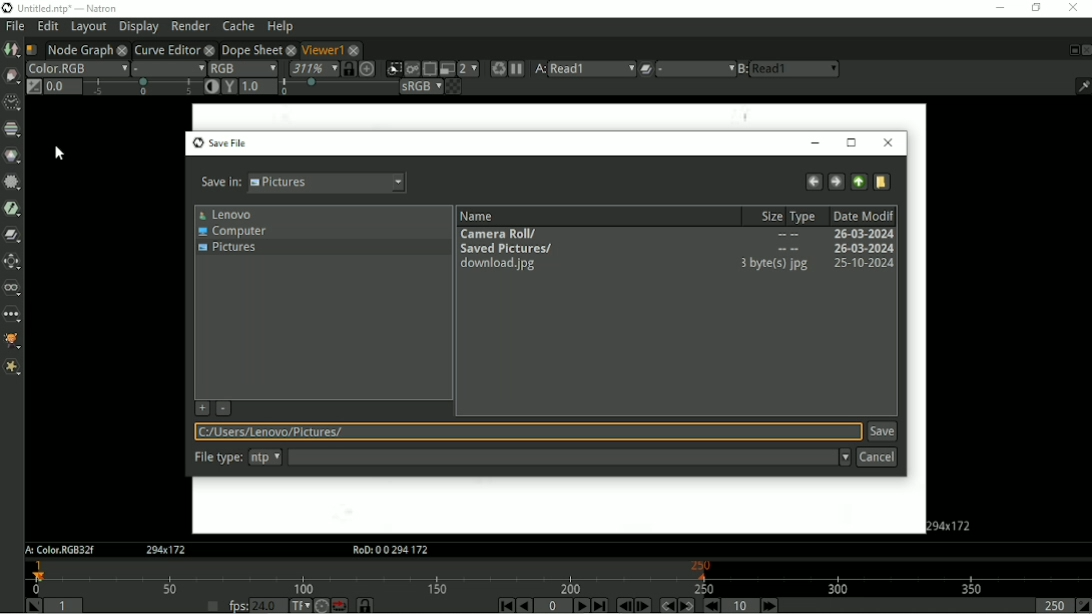 The width and height of the screenshot is (1092, 614). I want to click on Save File, so click(219, 143).